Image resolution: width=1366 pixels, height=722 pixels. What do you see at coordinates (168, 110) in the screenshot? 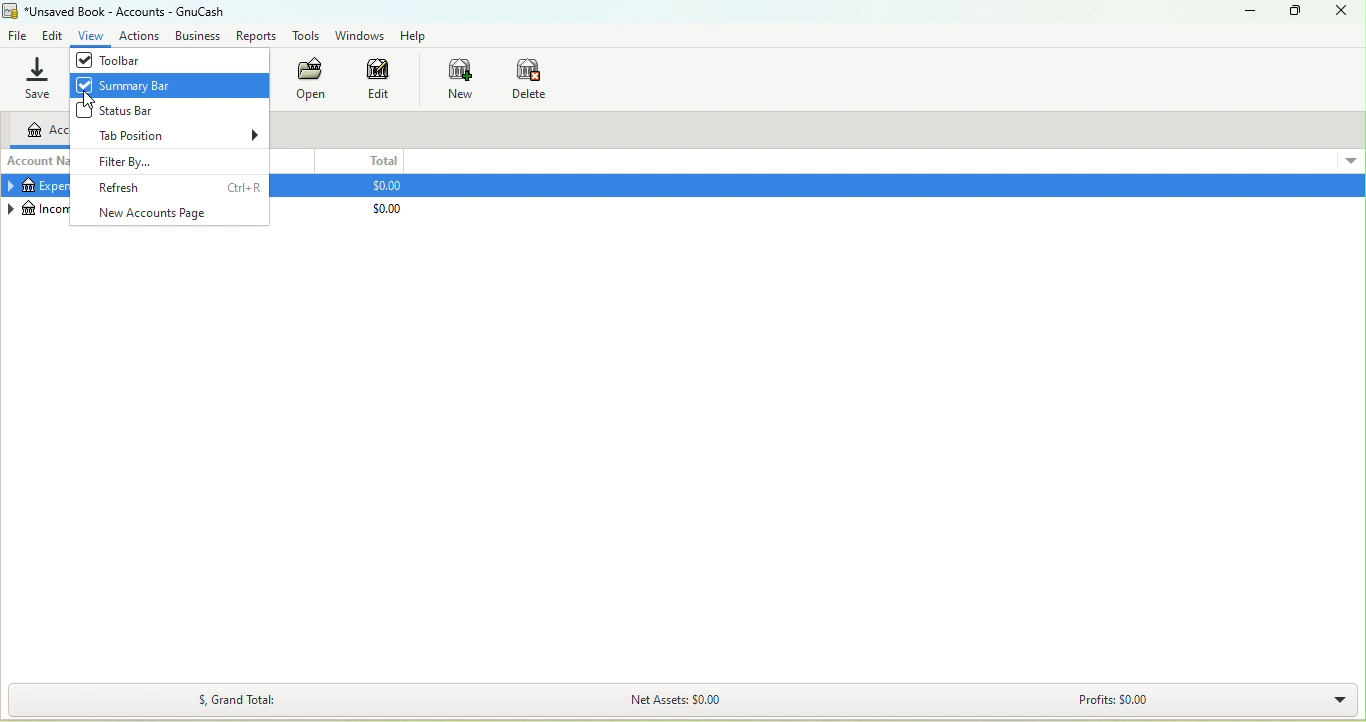
I see `Status Bar` at bounding box center [168, 110].